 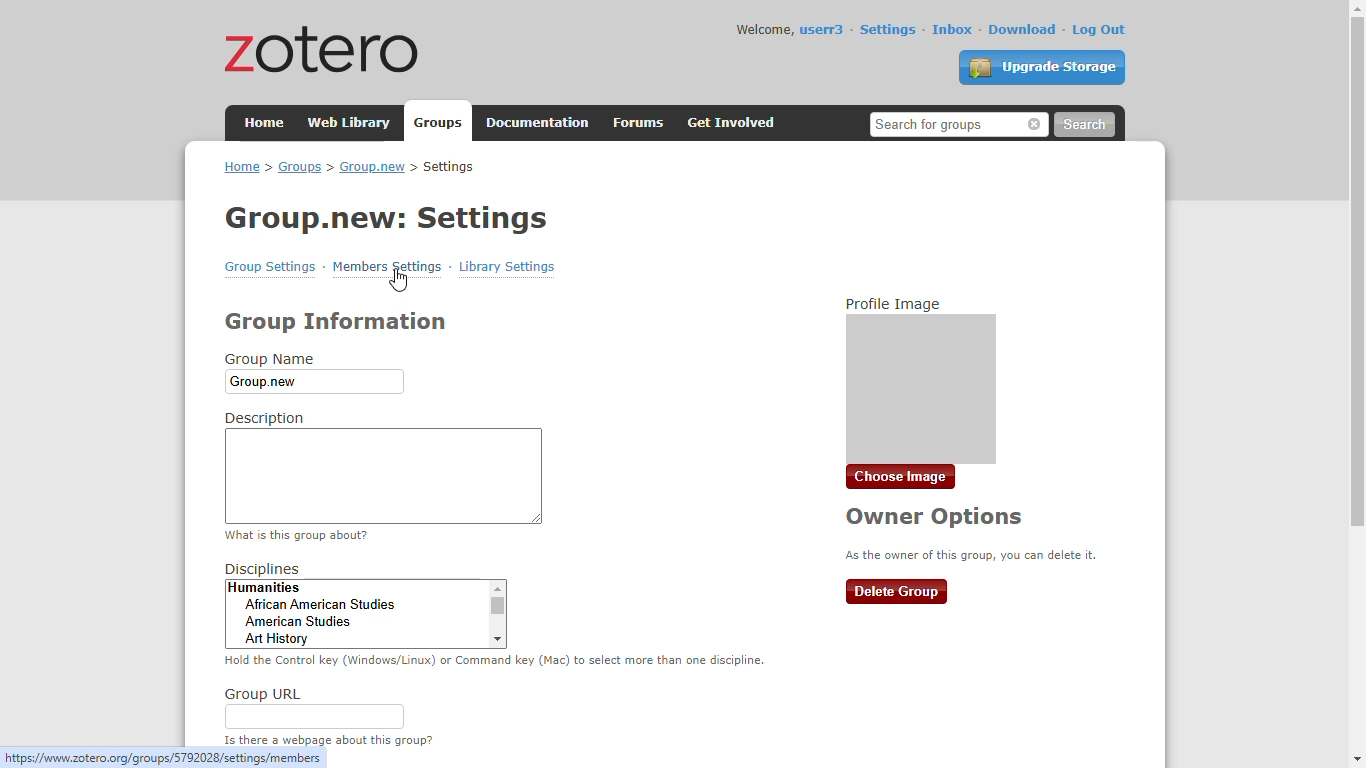 What do you see at coordinates (935, 517) in the screenshot?
I see `owner options` at bounding box center [935, 517].